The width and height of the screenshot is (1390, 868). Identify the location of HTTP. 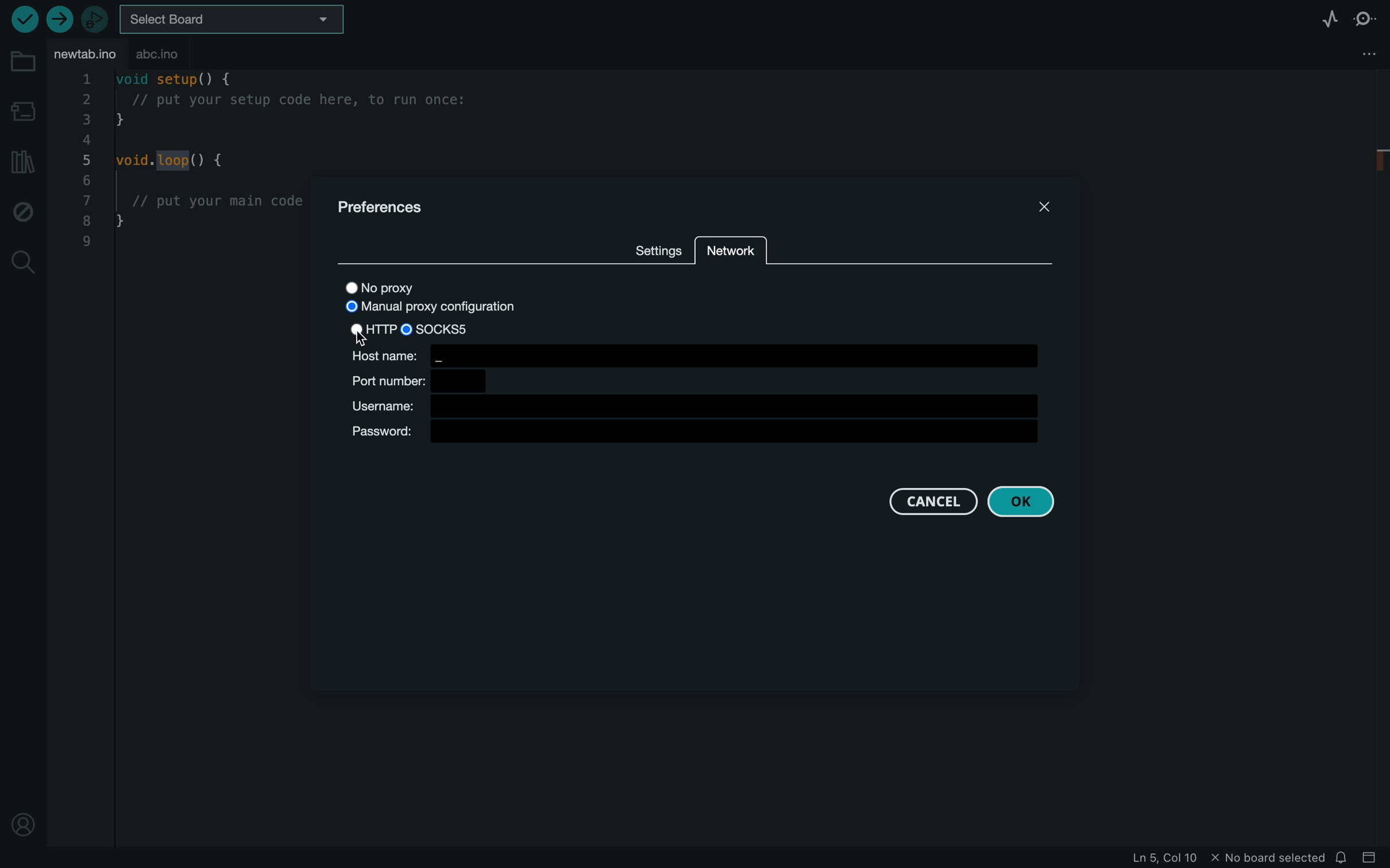
(373, 328).